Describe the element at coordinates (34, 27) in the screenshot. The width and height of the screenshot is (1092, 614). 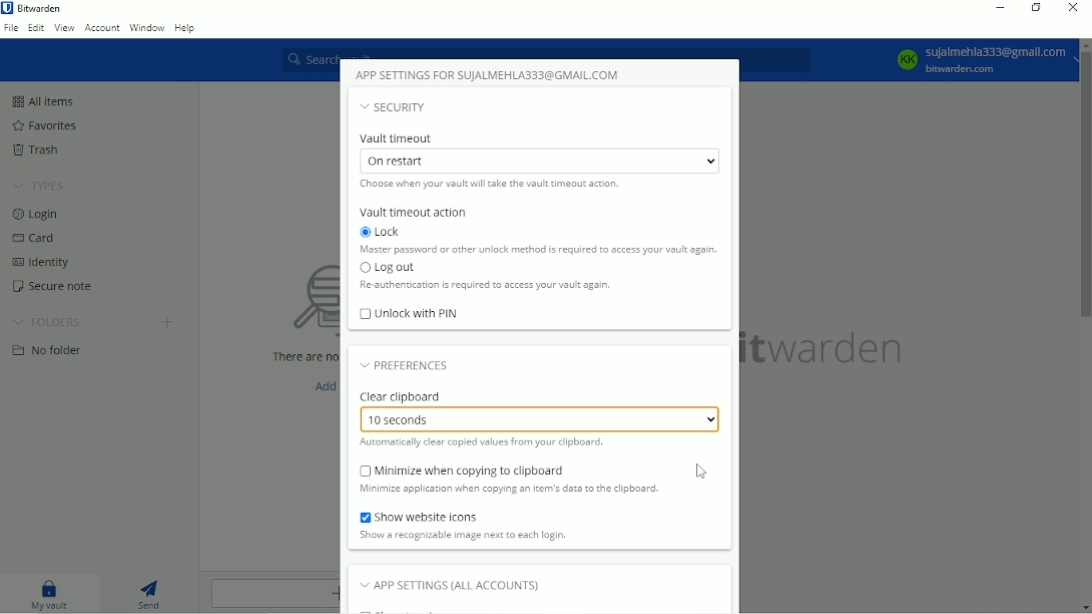
I see `Edit` at that location.